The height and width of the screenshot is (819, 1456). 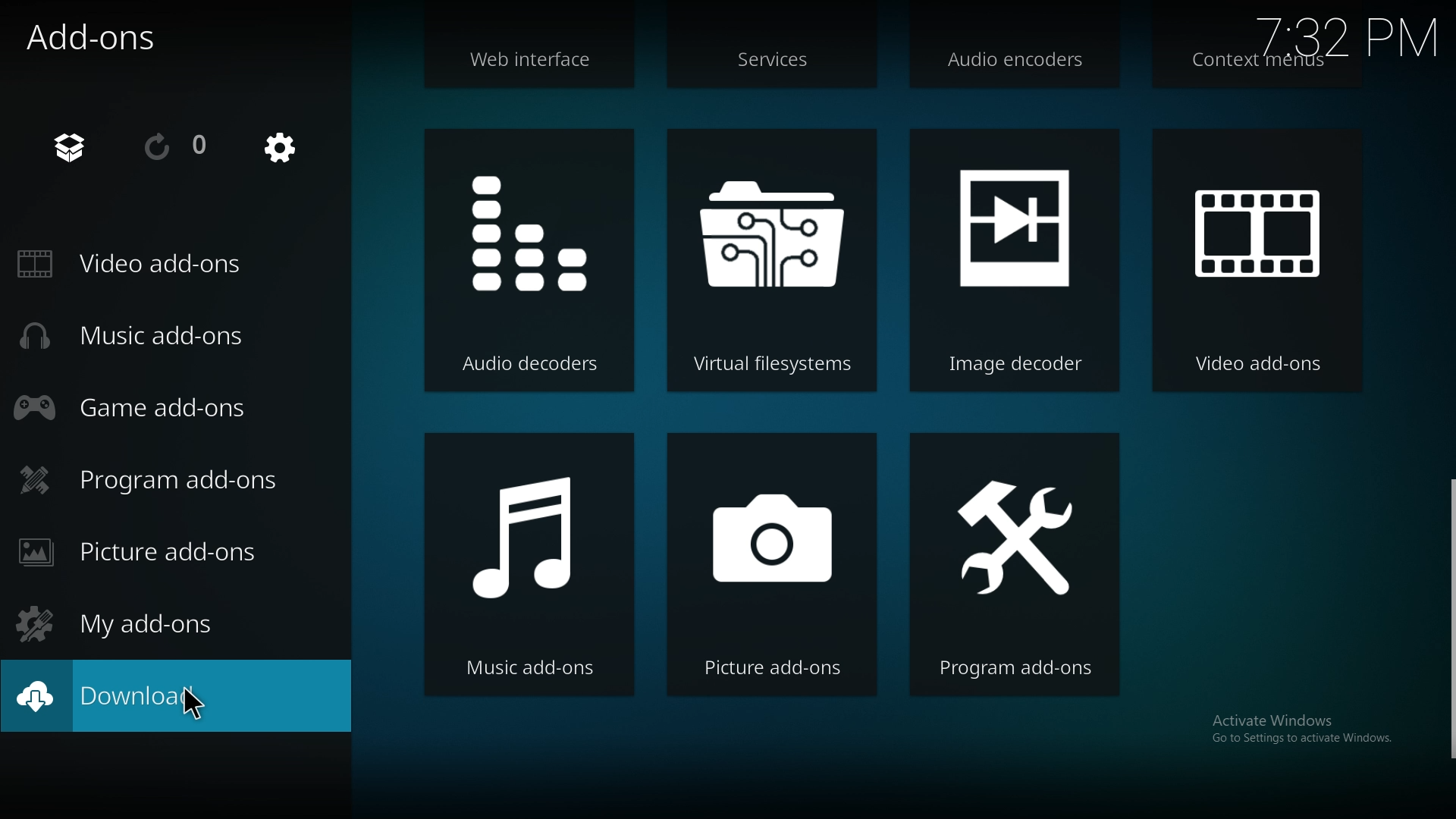 I want to click on cursor, so click(x=194, y=706).